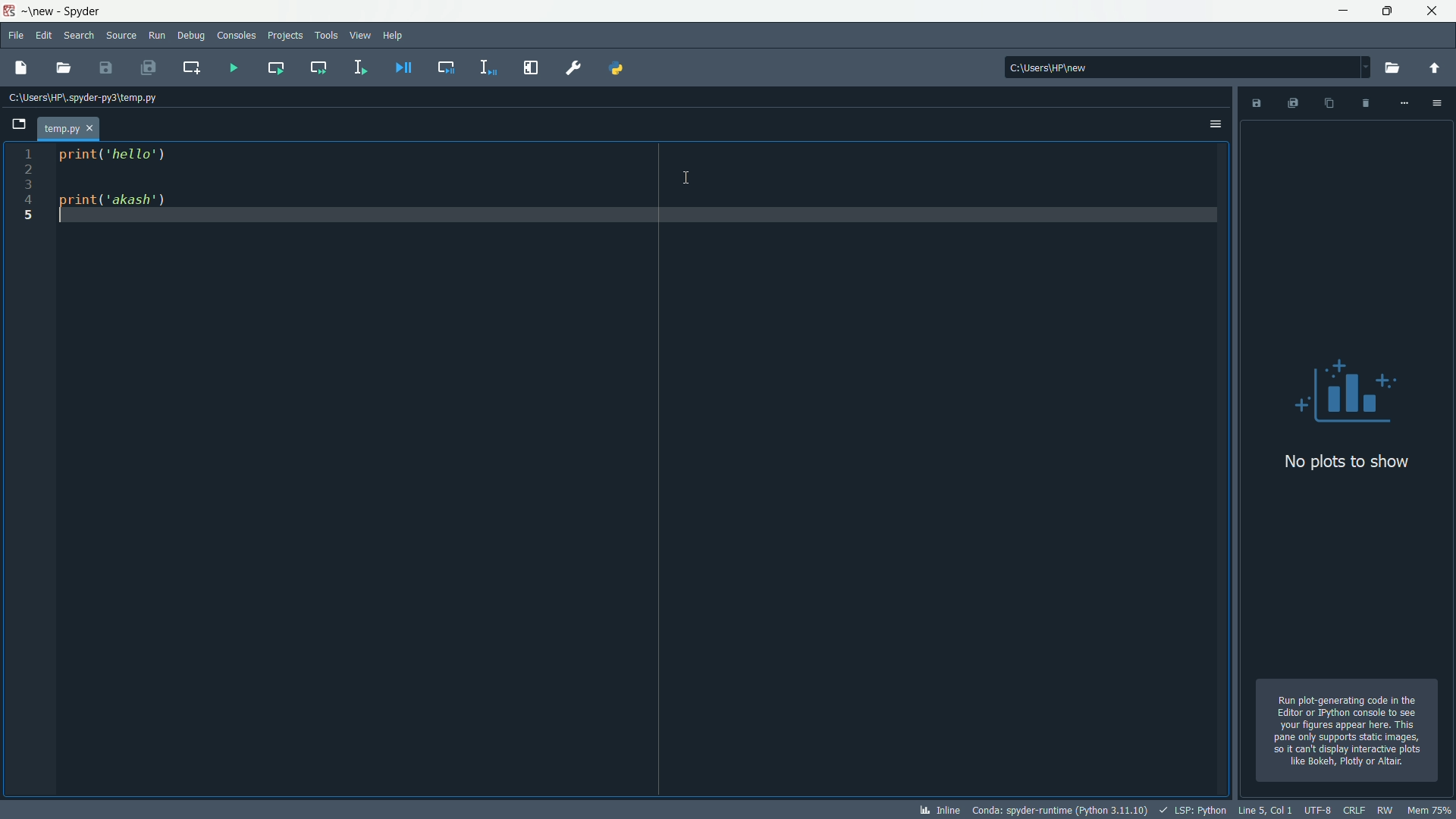 Image resolution: width=1456 pixels, height=819 pixels. What do you see at coordinates (1434, 11) in the screenshot?
I see `close` at bounding box center [1434, 11].